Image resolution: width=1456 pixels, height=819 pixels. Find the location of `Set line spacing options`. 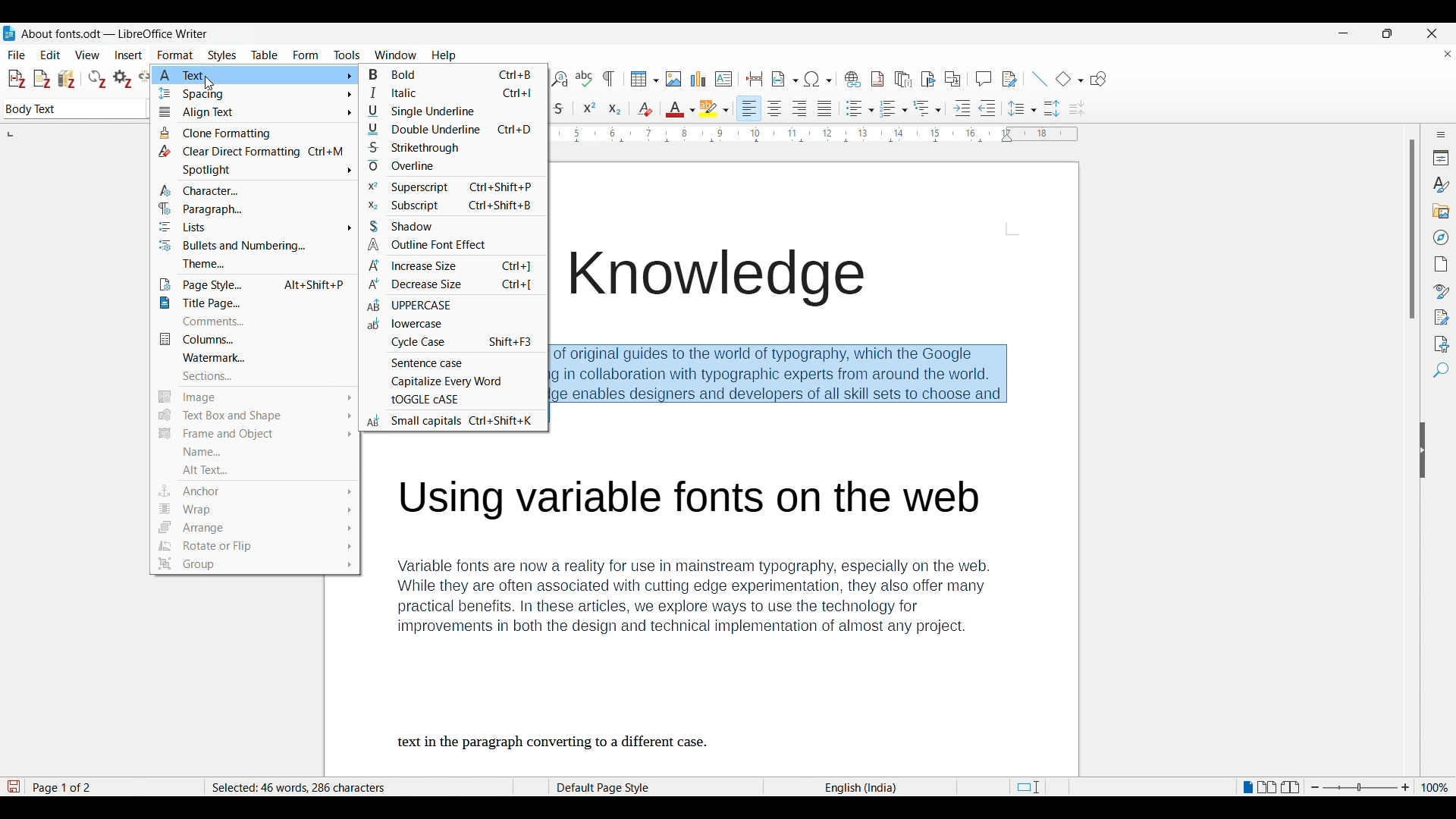

Set line spacing options is located at coordinates (1022, 108).